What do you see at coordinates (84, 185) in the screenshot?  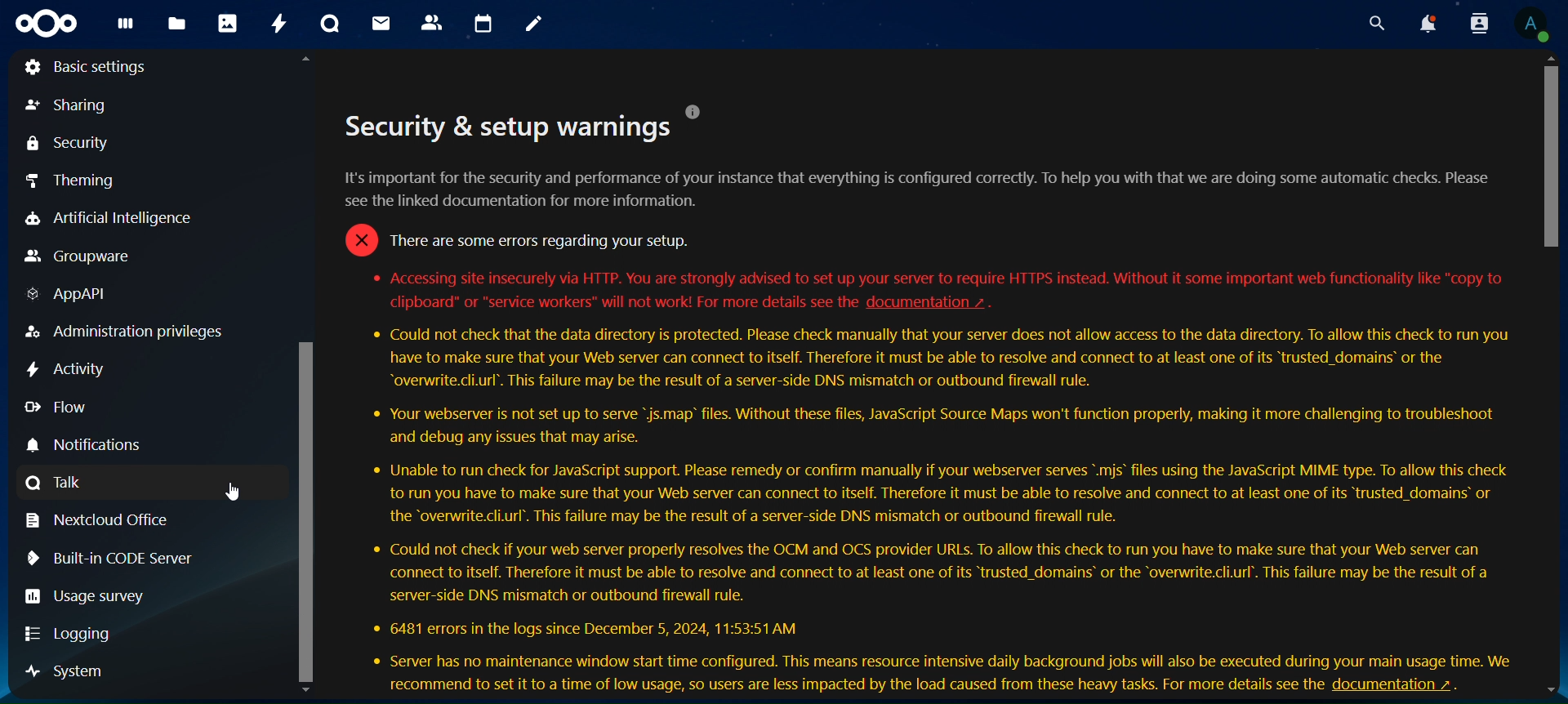 I see `theming` at bounding box center [84, 185].